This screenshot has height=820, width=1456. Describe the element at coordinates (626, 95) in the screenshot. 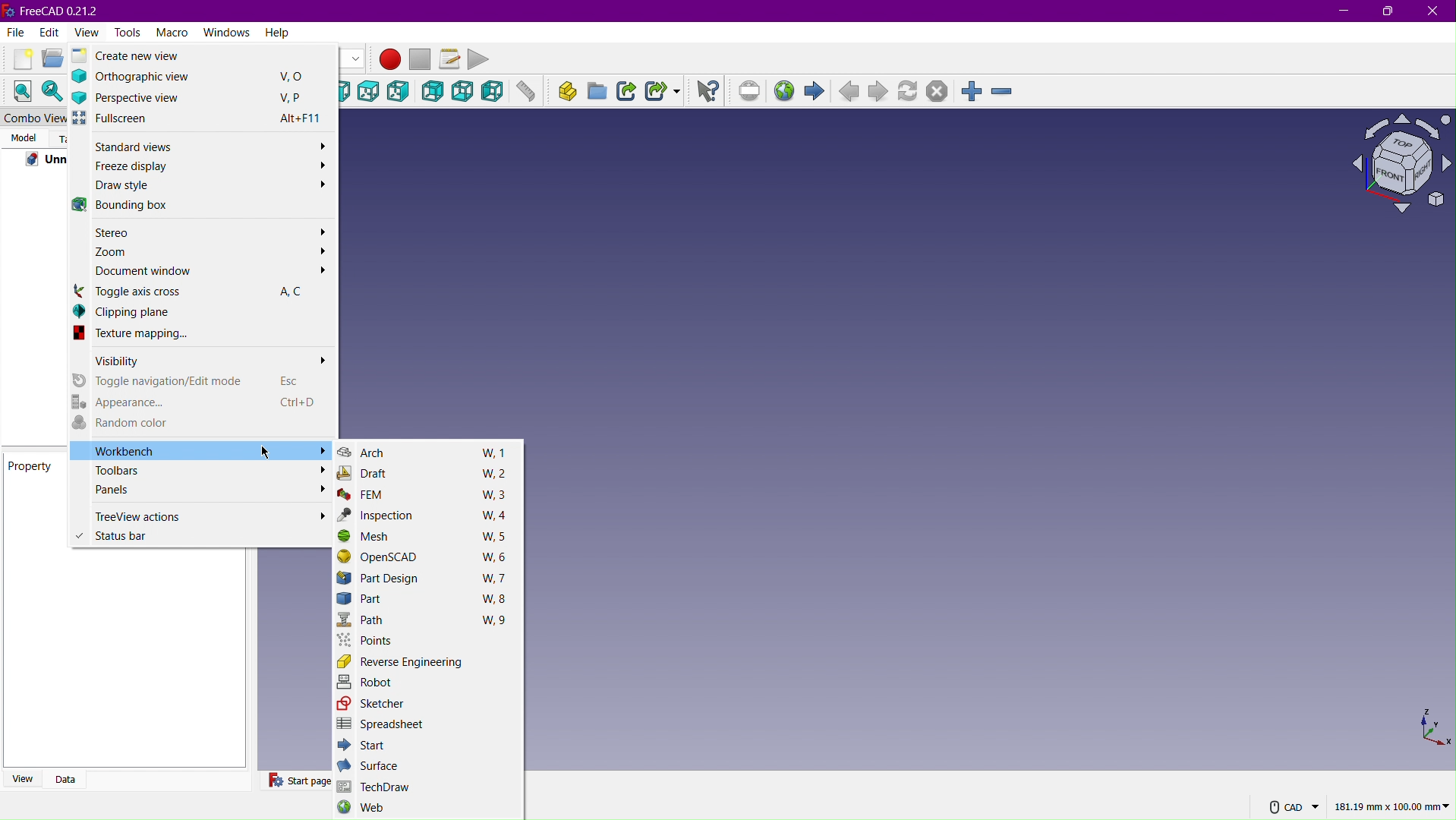

I see `Make Link` at that location.